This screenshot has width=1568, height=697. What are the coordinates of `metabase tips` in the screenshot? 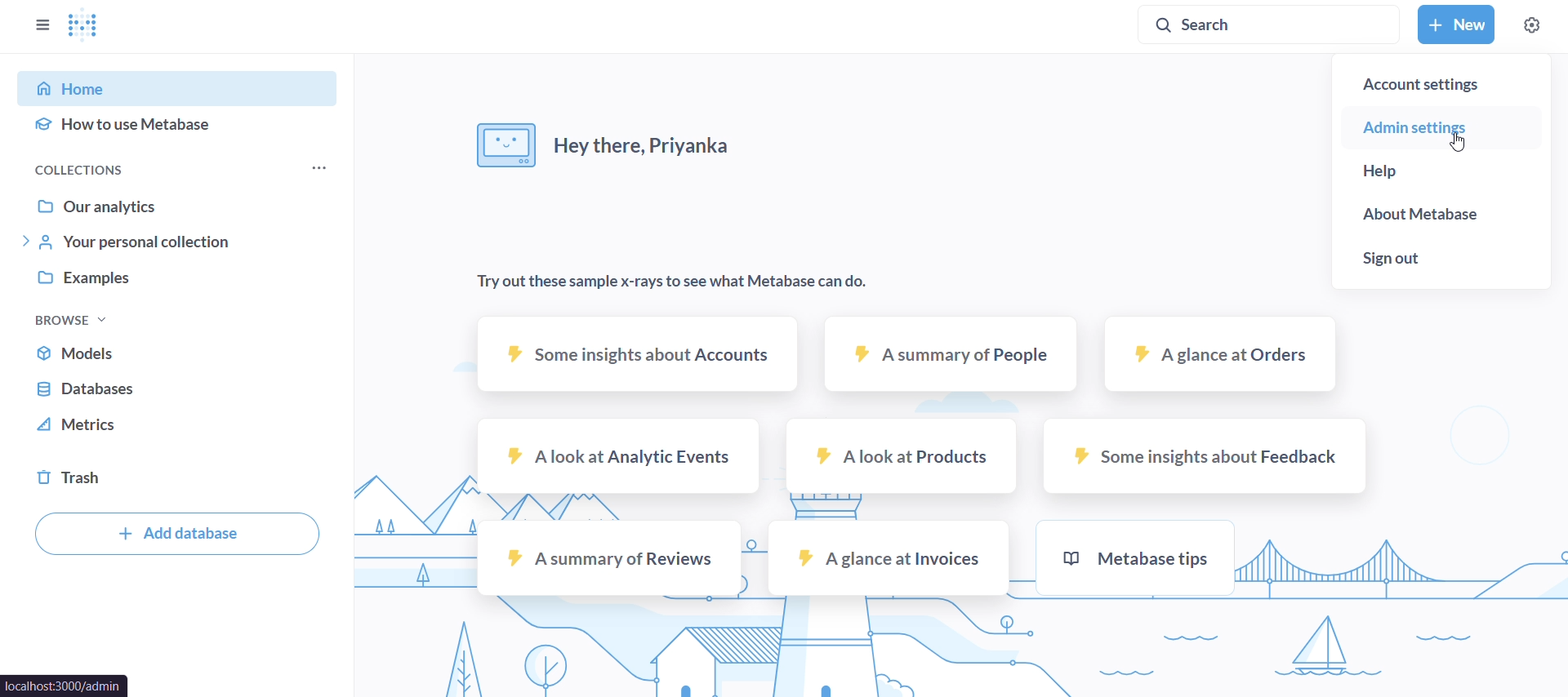 It's located at (1134, 558).